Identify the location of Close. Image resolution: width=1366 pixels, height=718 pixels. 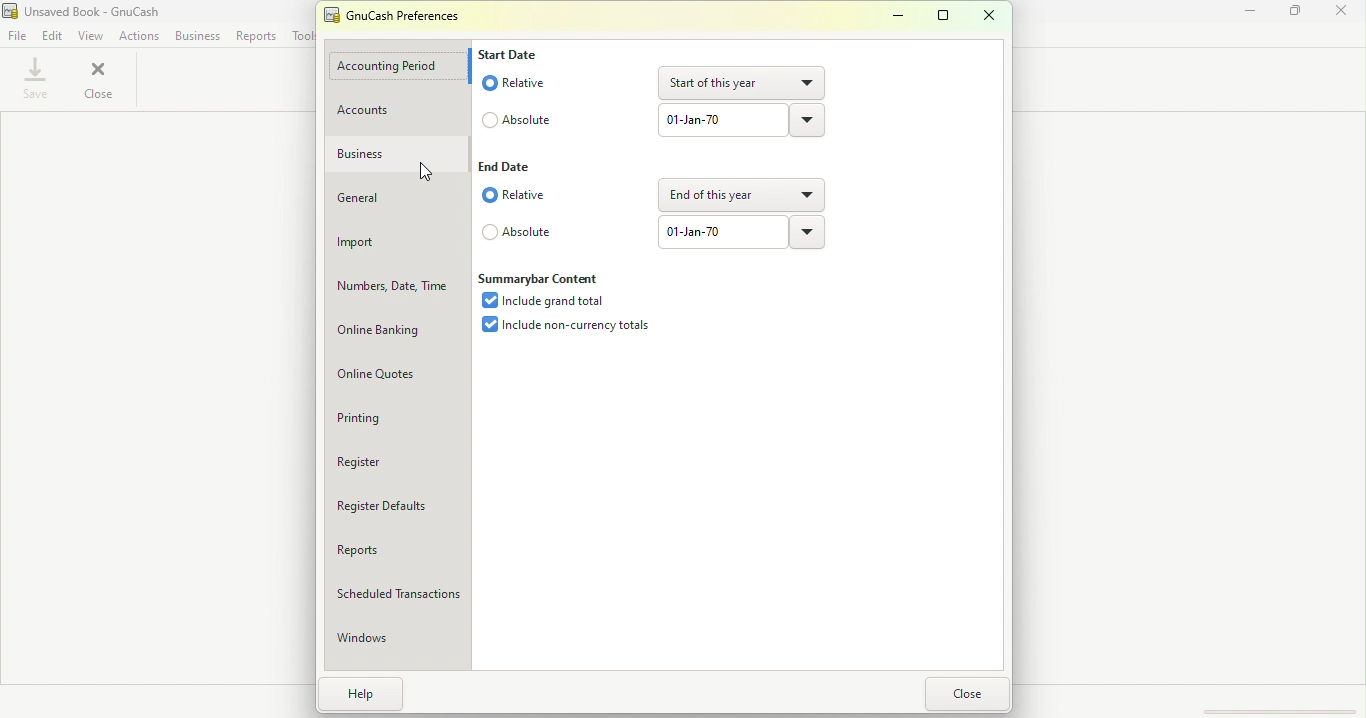
(991, 16).